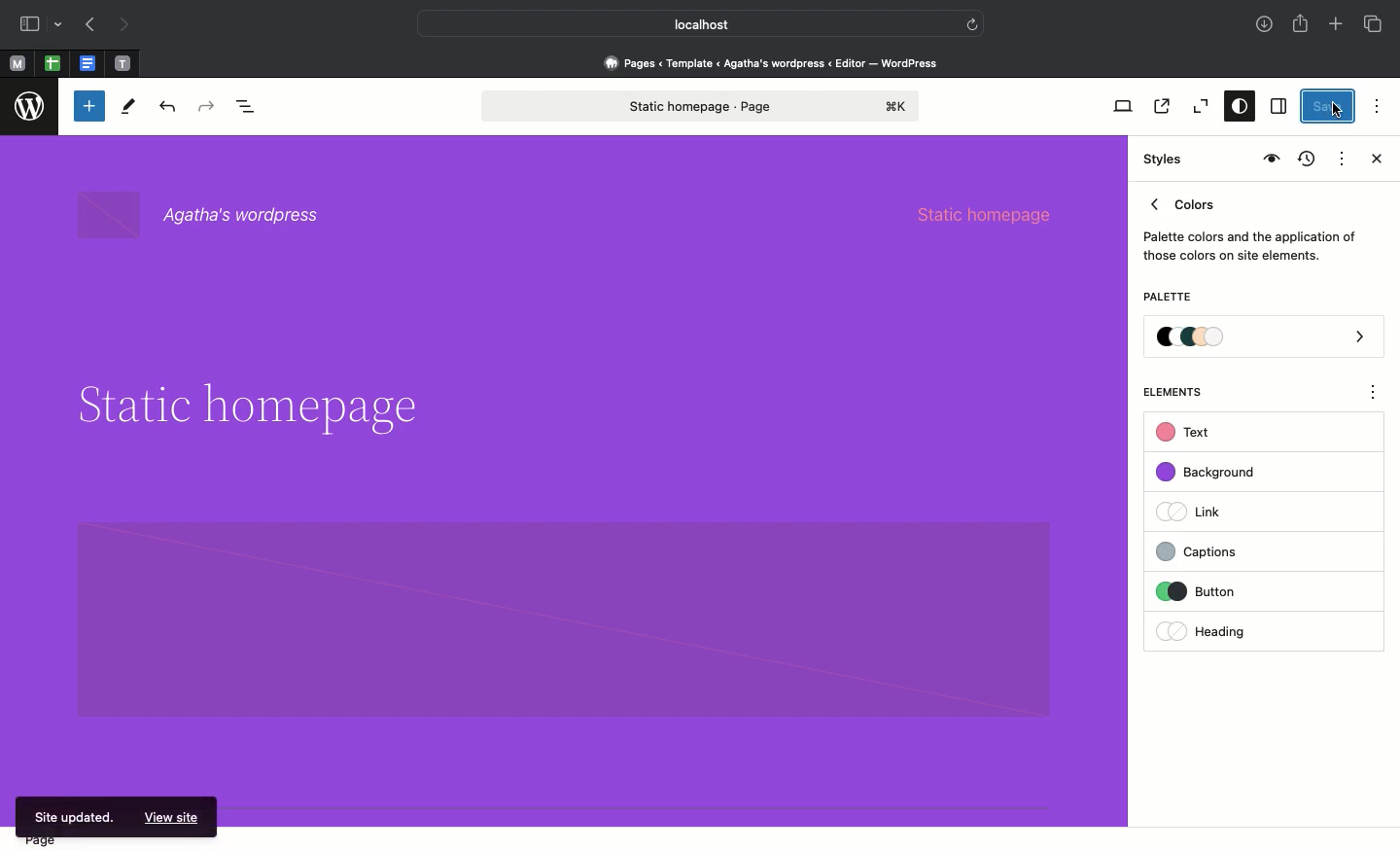 This screenshot has width=1400, height=850. What do you see at coordinates (1329, 107) in the screenshot?
I see `Save` at bounding box center [1329, 107].